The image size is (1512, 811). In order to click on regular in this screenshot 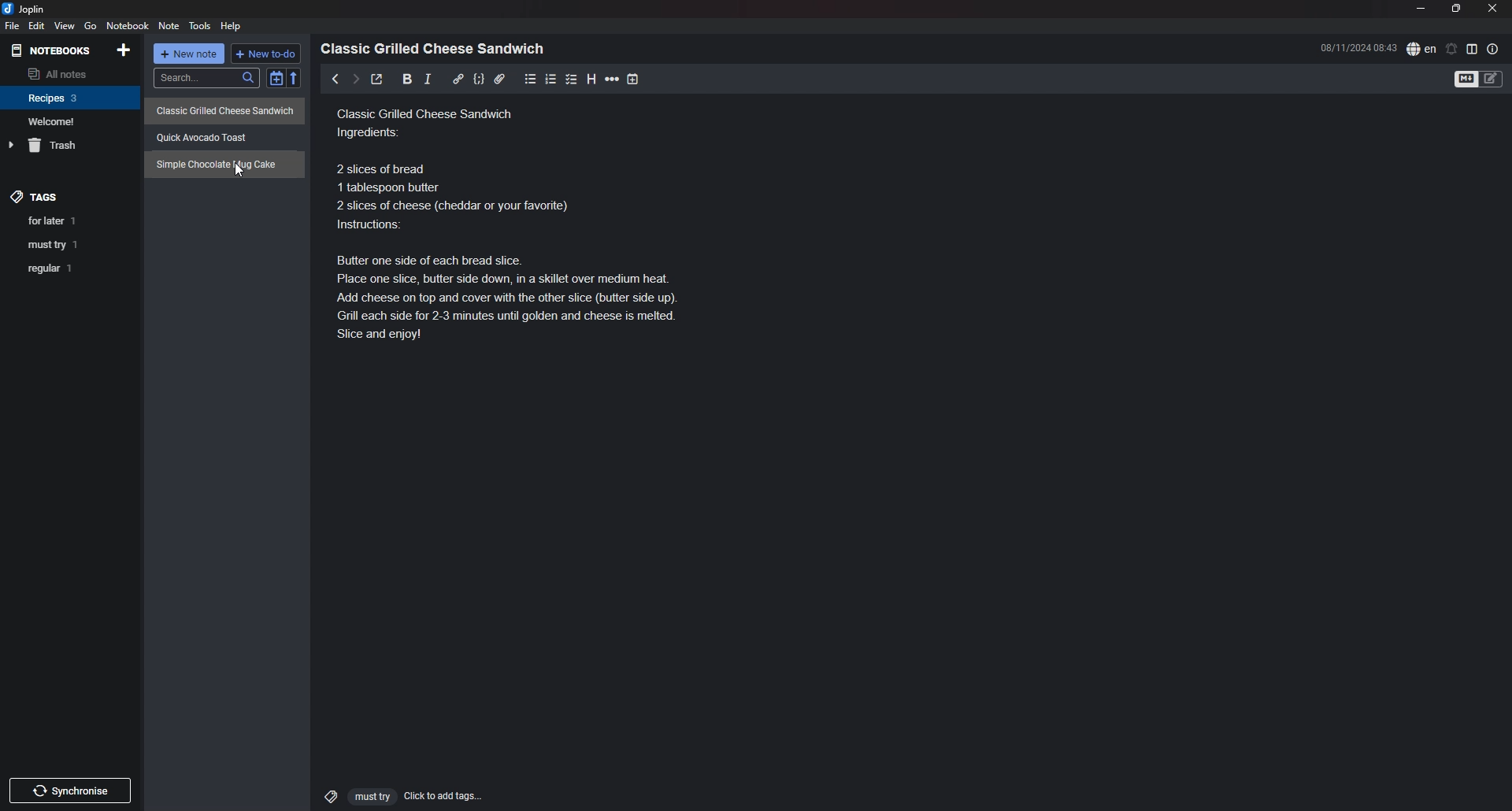, I will do `click(70, 269)`.